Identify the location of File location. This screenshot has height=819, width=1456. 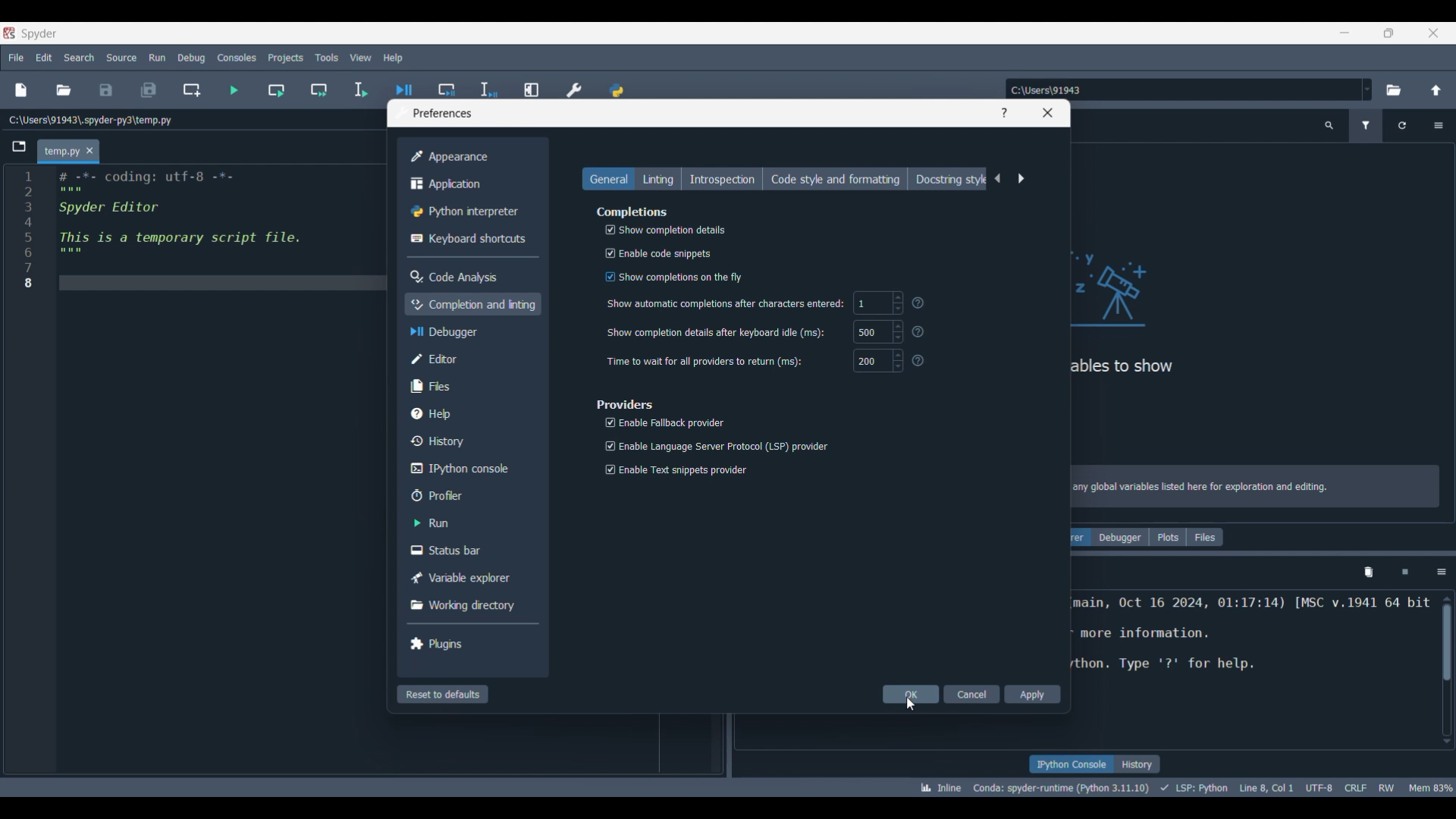
(89, 120).